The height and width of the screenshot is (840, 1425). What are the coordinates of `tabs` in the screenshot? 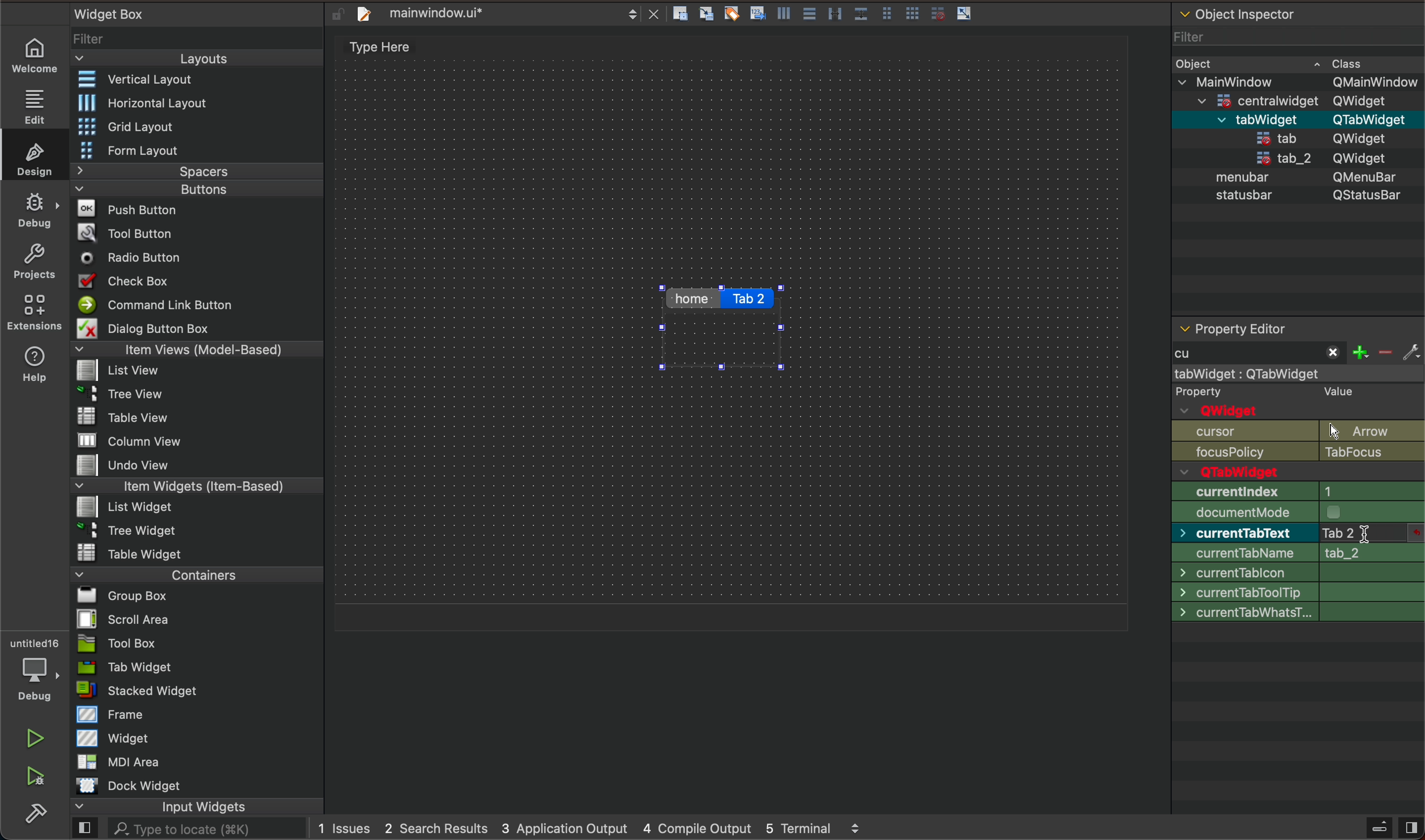 It's located at (724, 327).